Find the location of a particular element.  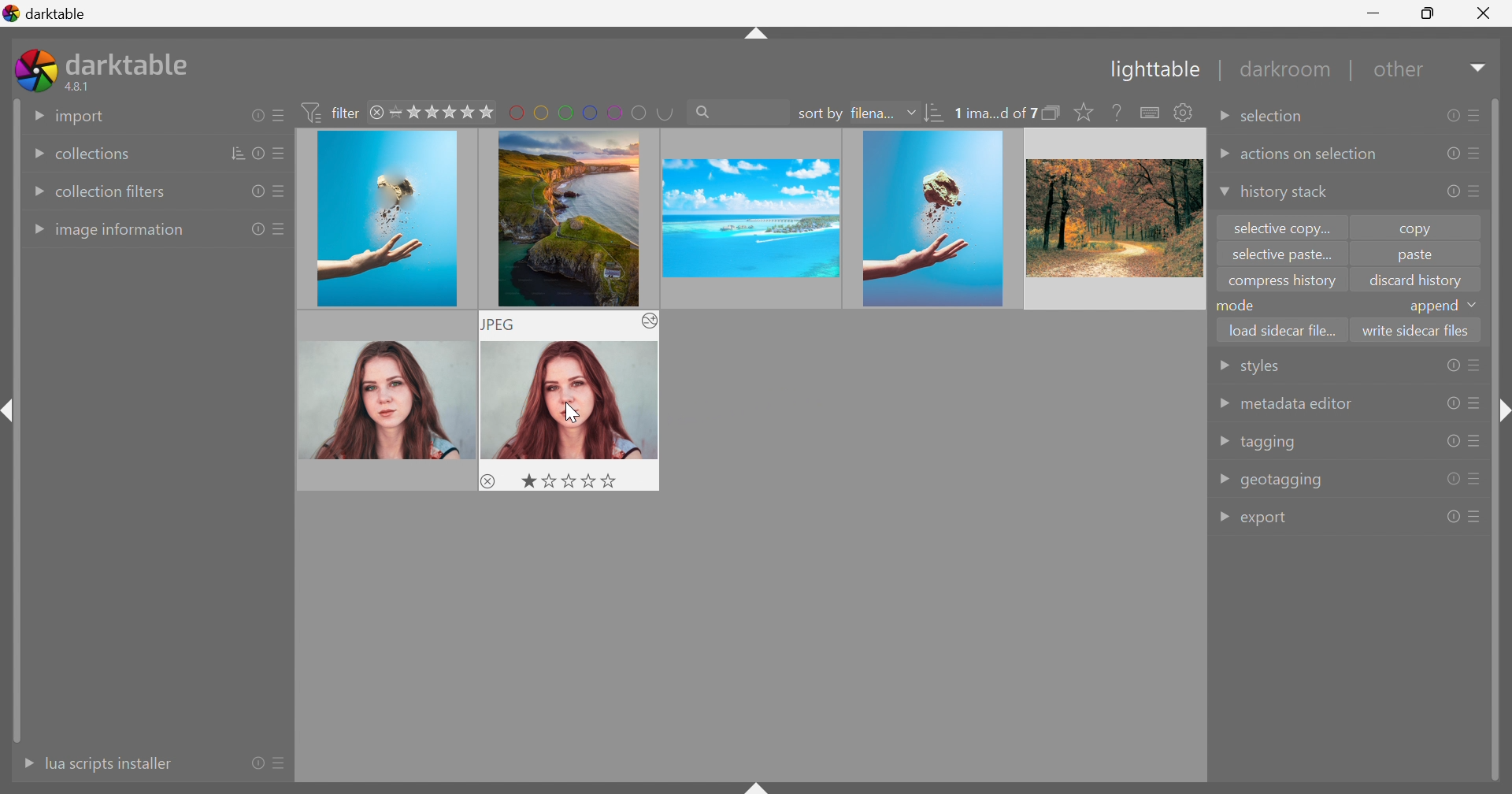

Drop Down is located at coordinates (35, 192).